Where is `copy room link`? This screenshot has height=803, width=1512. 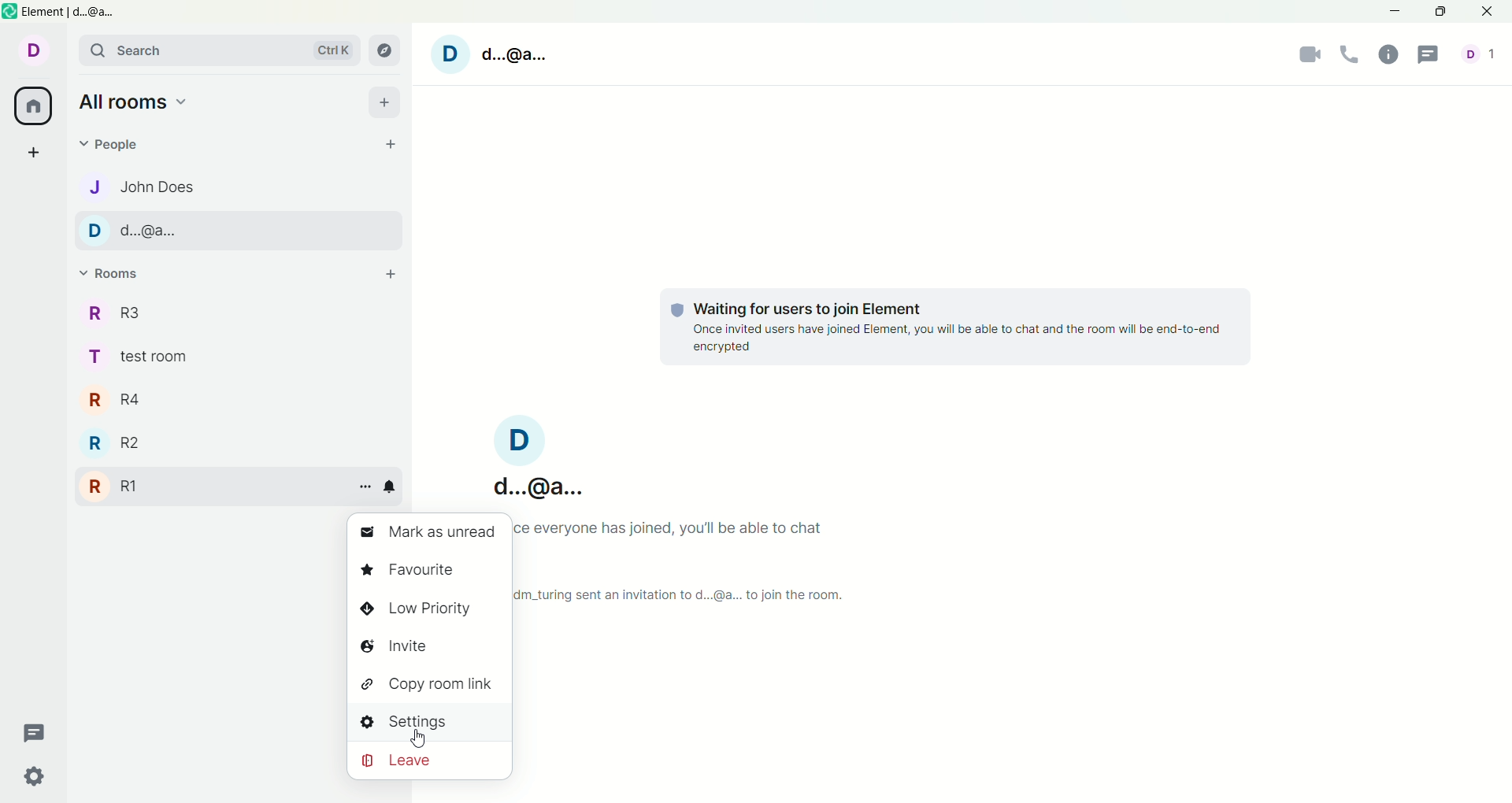
copy room link is located at coordinates (432, 686).